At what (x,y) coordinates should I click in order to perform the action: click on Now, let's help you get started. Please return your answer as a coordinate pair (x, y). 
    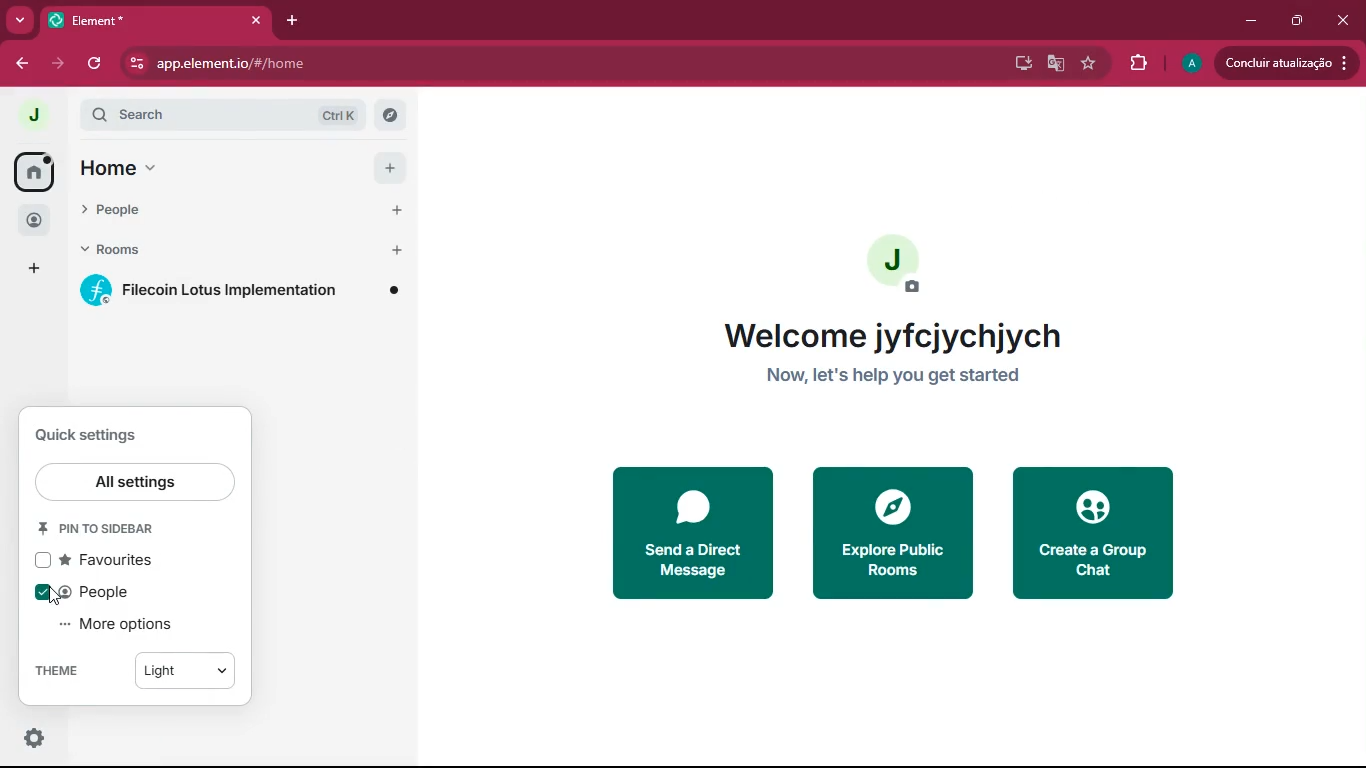
    Looking at the image, I should click on (895, 380).